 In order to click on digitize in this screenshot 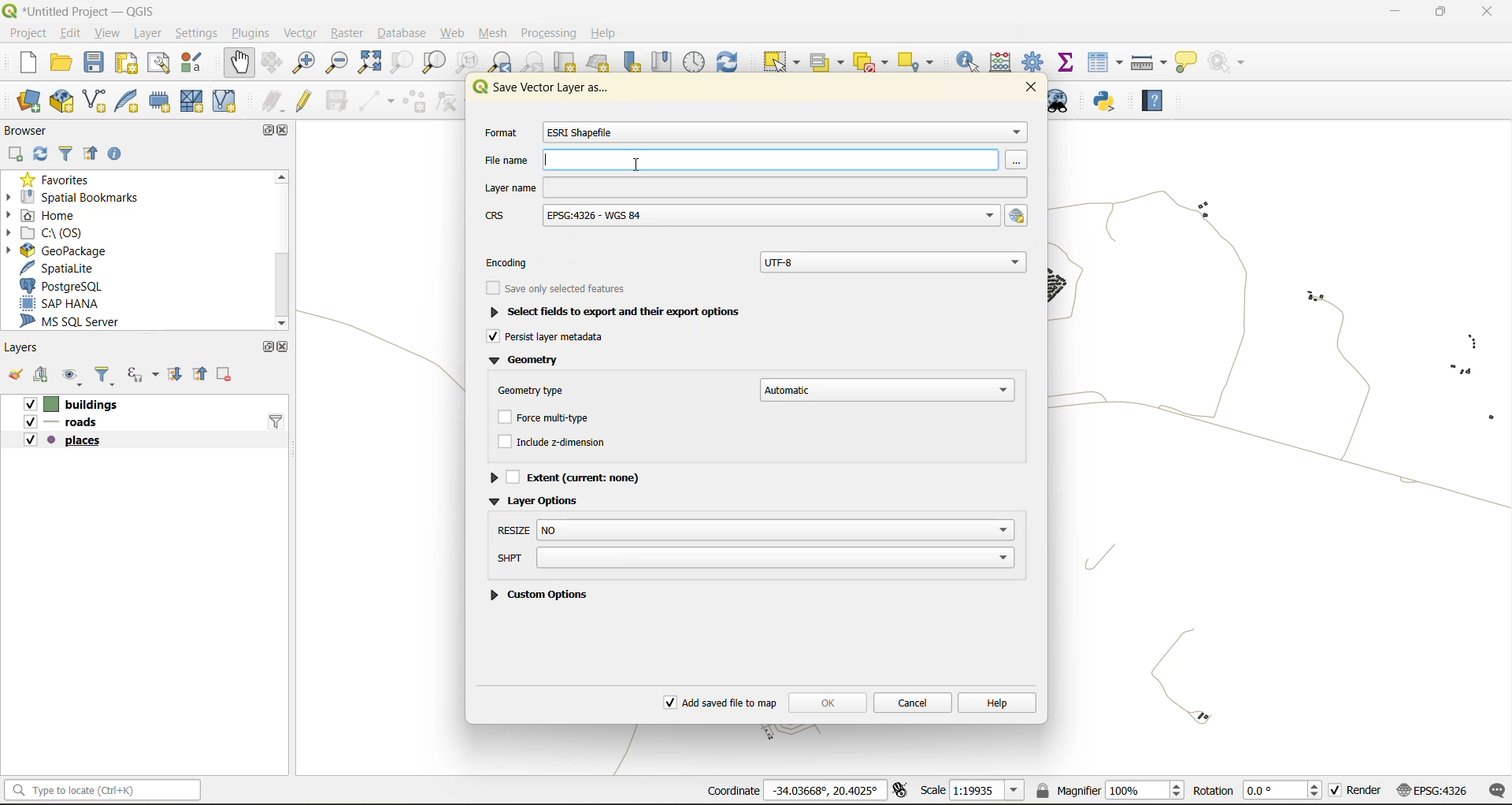, I will do `click(374, 101)`.